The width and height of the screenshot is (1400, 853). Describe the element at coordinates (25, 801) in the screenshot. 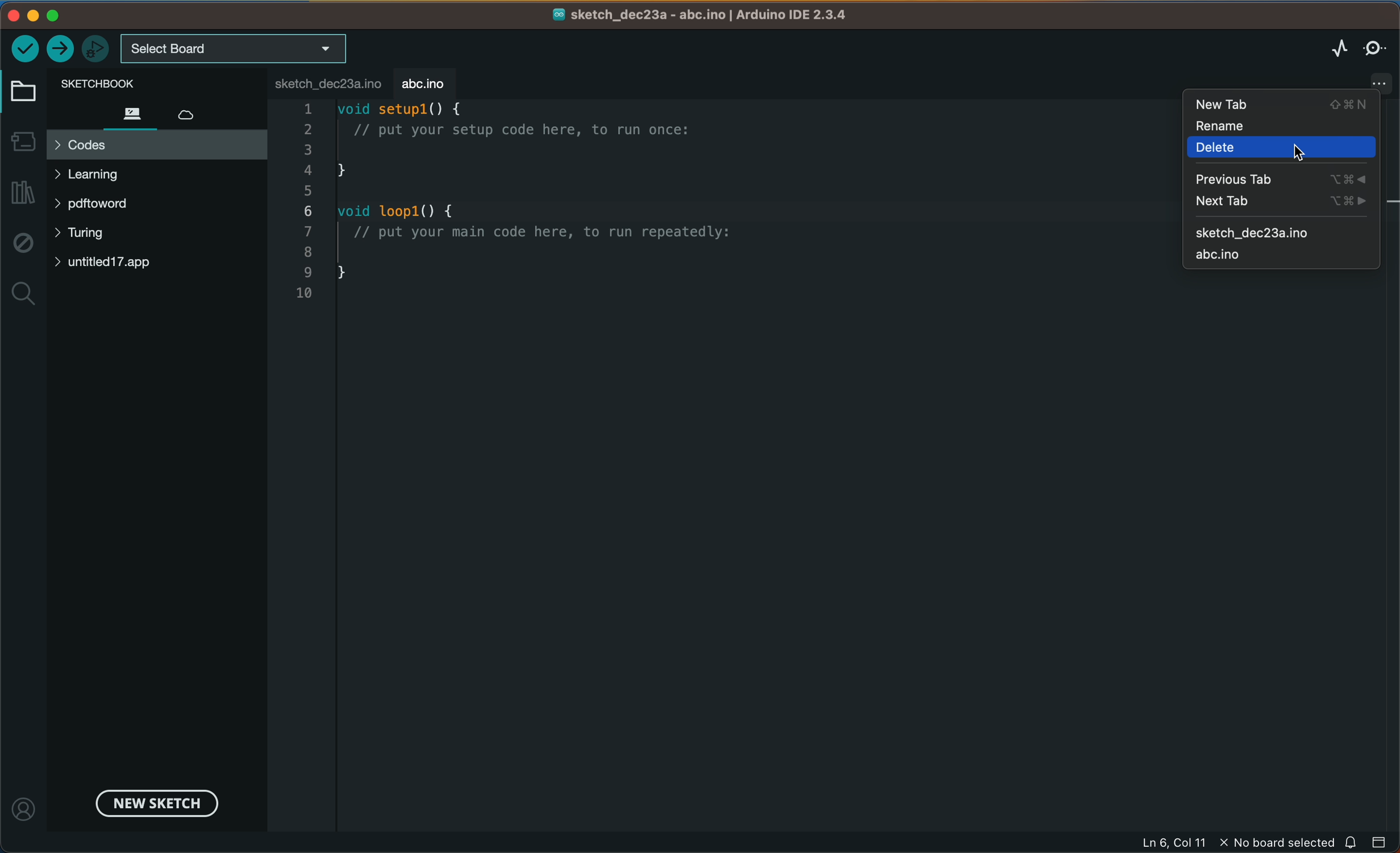

I see `profile` at that location.